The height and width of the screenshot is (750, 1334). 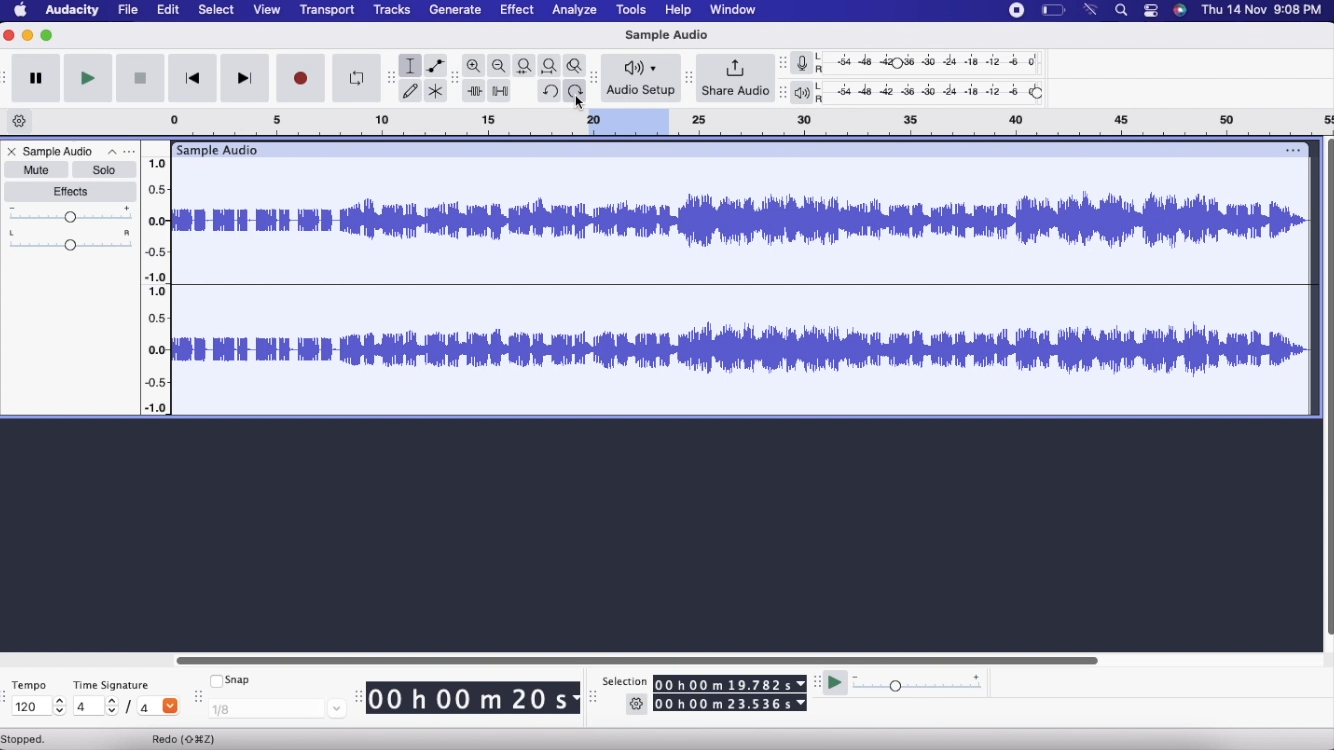 What do you see at coordinates (1055, 10) in the screenshot?
I see `power` at bounding box center [1055, 10].